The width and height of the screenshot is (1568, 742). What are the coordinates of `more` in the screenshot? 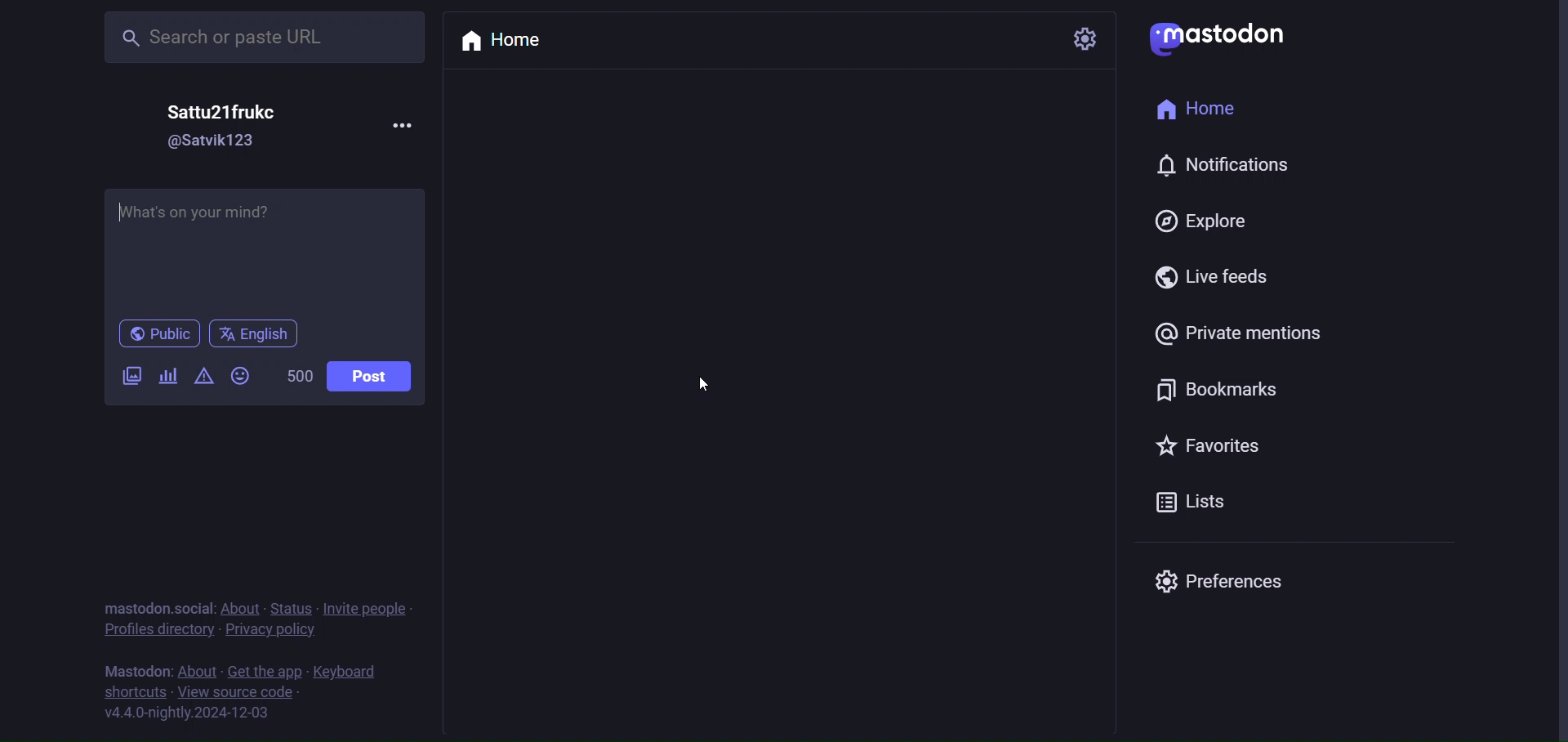 It's located at (400, 125).